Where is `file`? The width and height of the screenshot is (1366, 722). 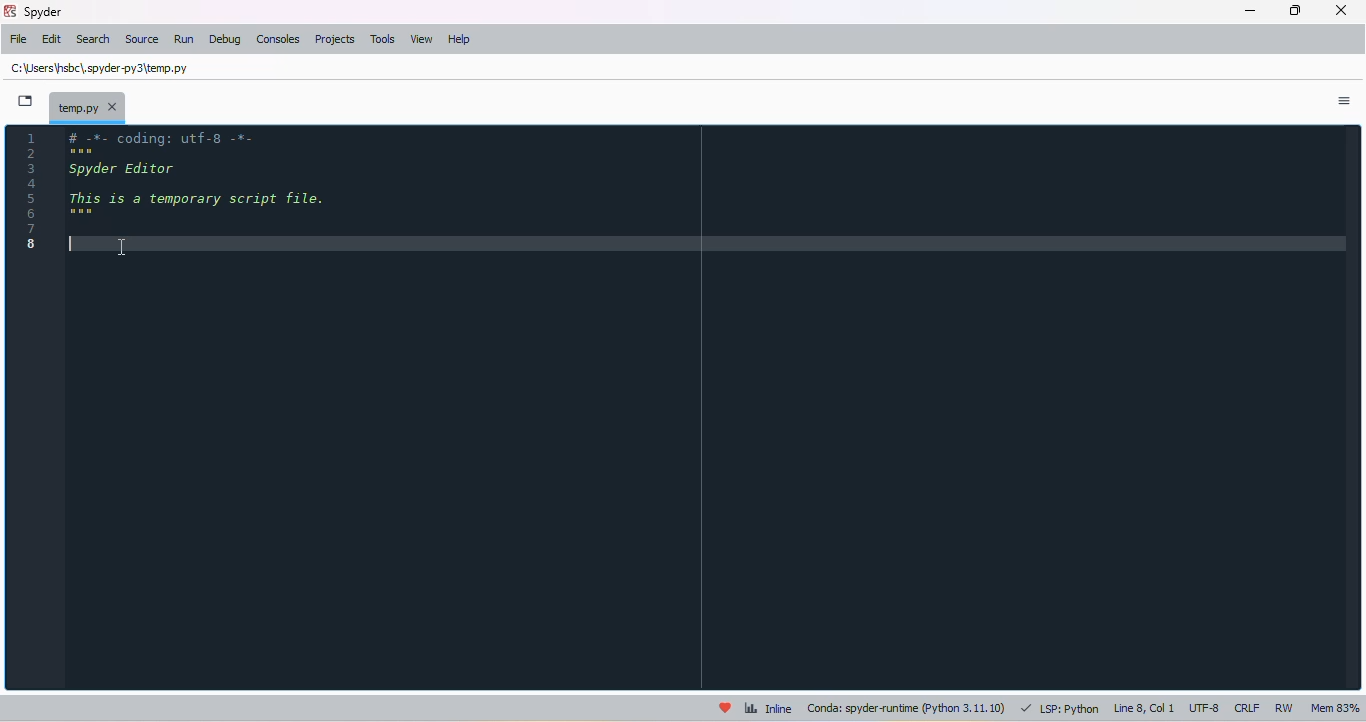 file is located at coordinates (20, 38).